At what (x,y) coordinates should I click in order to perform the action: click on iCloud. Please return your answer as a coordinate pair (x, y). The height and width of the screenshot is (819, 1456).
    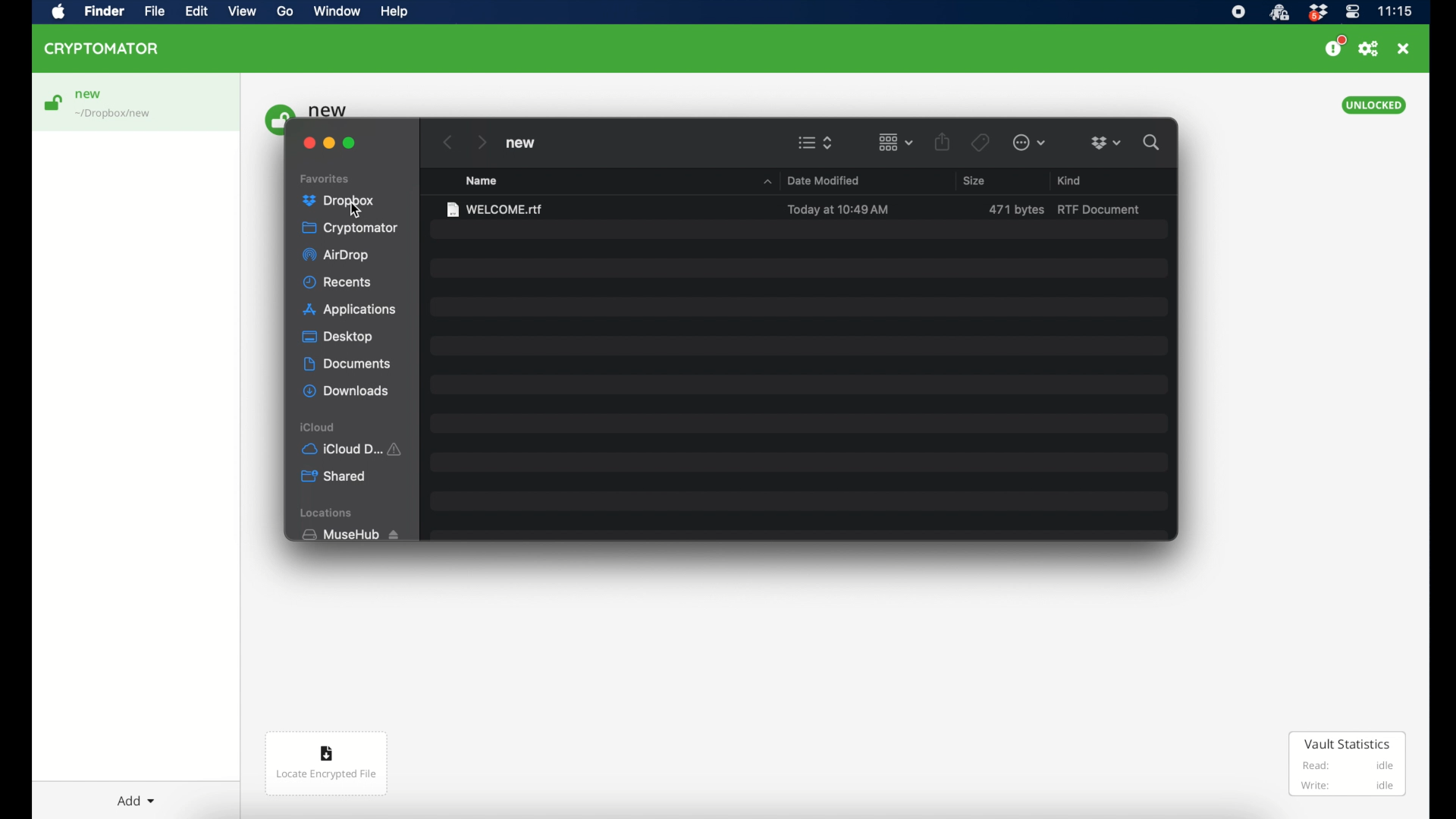
    Looking at the image, I should click on (354, 449).